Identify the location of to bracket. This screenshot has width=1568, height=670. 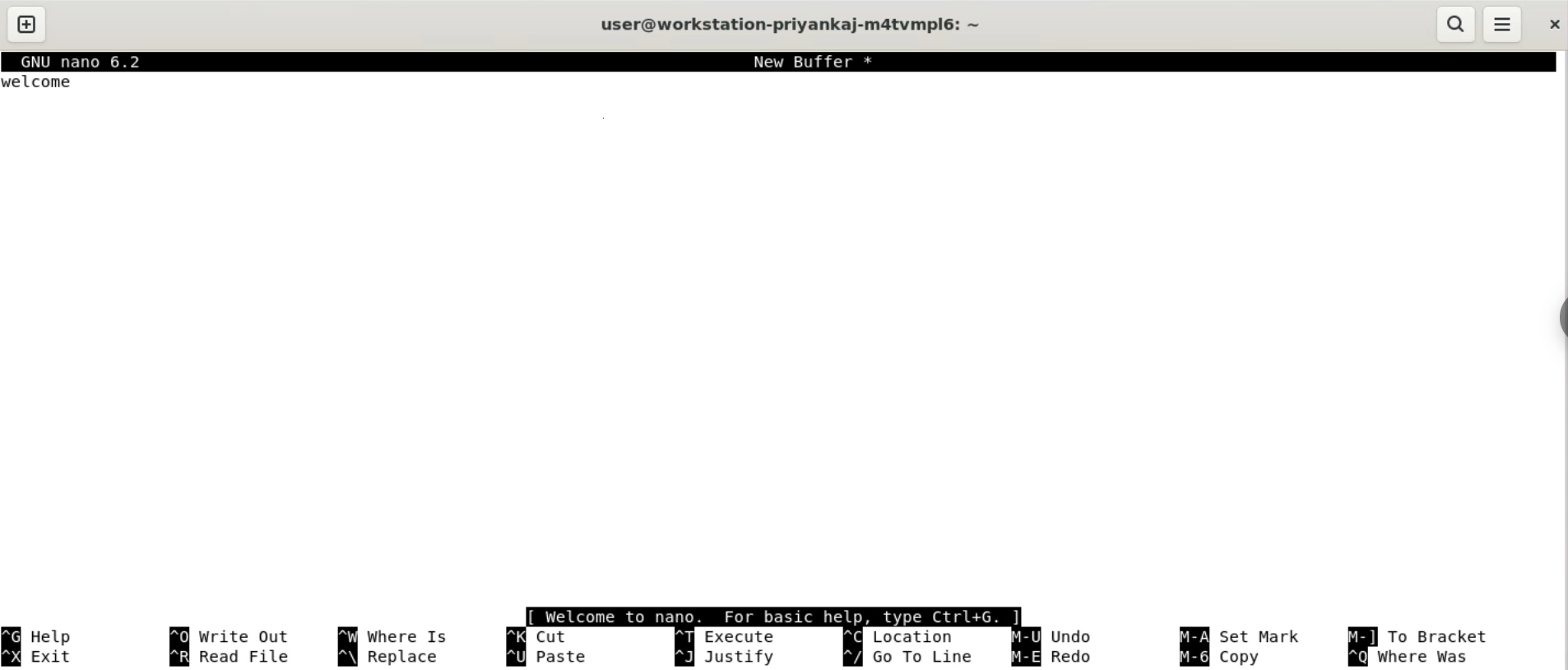
(1416, 636).